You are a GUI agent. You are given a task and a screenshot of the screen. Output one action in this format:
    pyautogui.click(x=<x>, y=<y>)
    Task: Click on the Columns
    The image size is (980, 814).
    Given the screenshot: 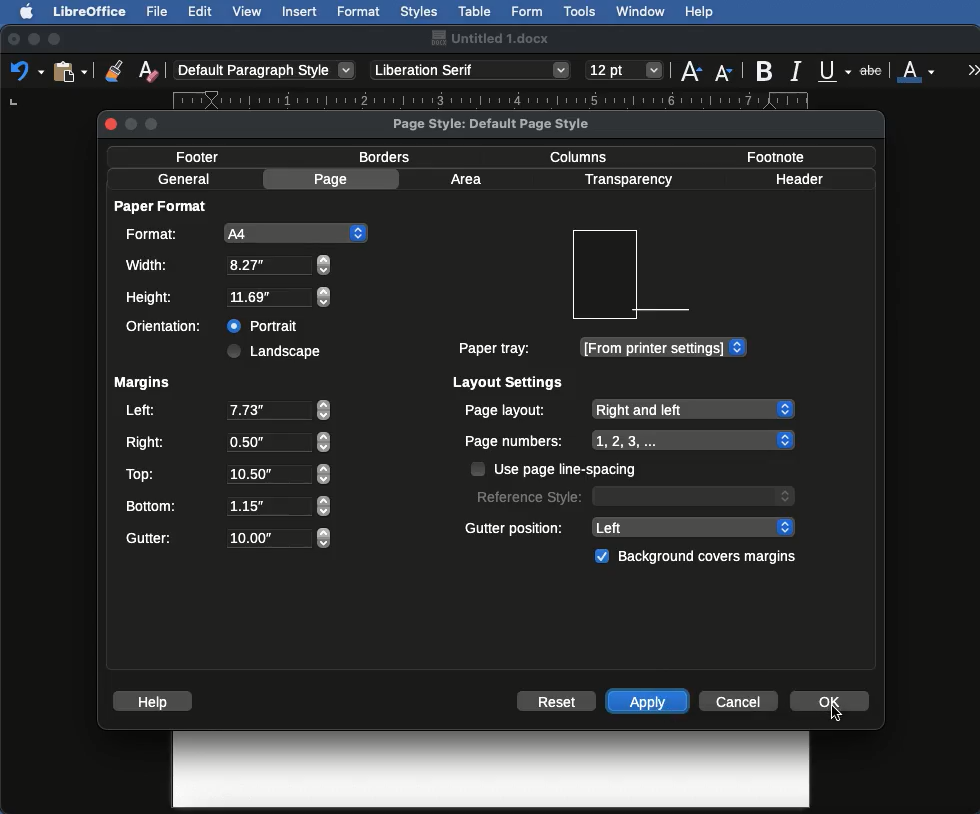 What is the action you would take?
    pyautogui.click(x=584, y=155)
    